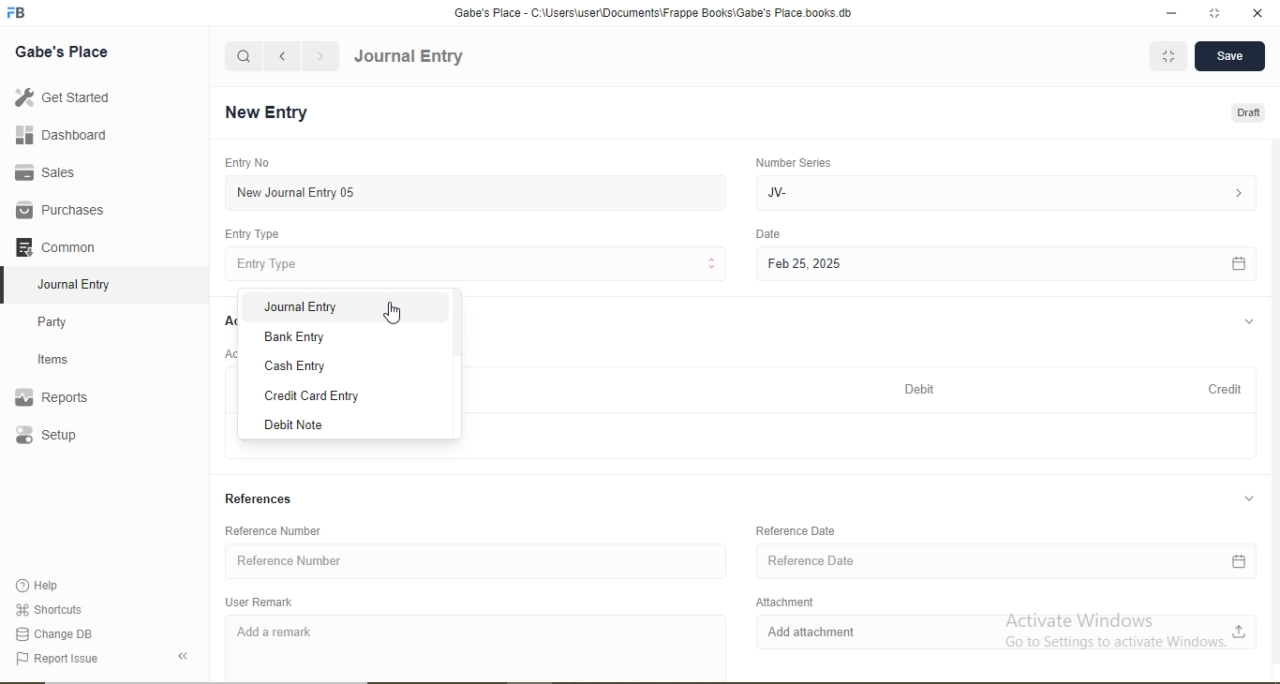 The height and width of the screenshot is (684, 1280). What do you see at coordinates (864, 437) in the screenshot?
I see `+ Add Row` at bounding box center [864, 437].